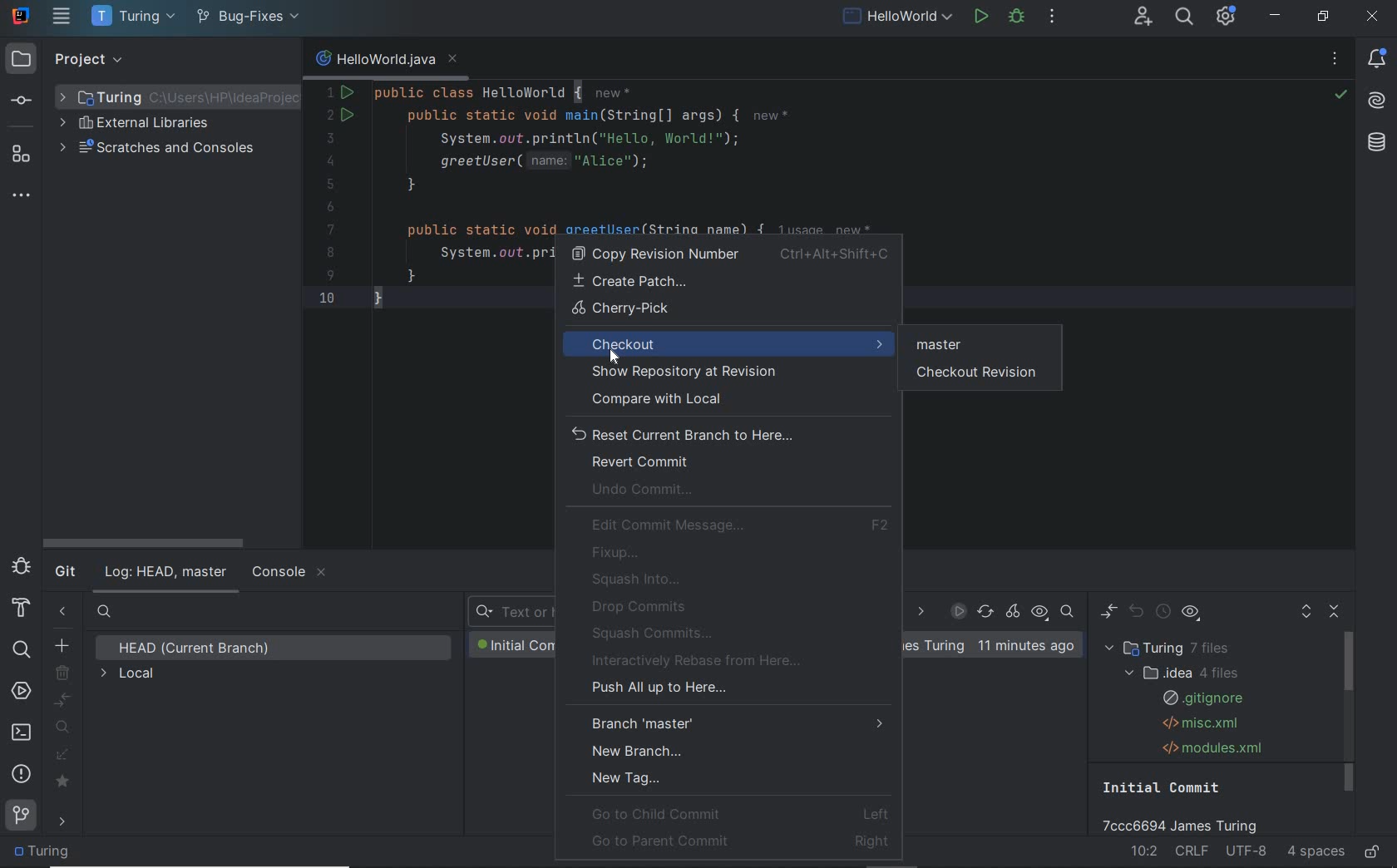 The height and width of the screenshot is (868, 1397). I want to click on indent, so click(1316, 852).